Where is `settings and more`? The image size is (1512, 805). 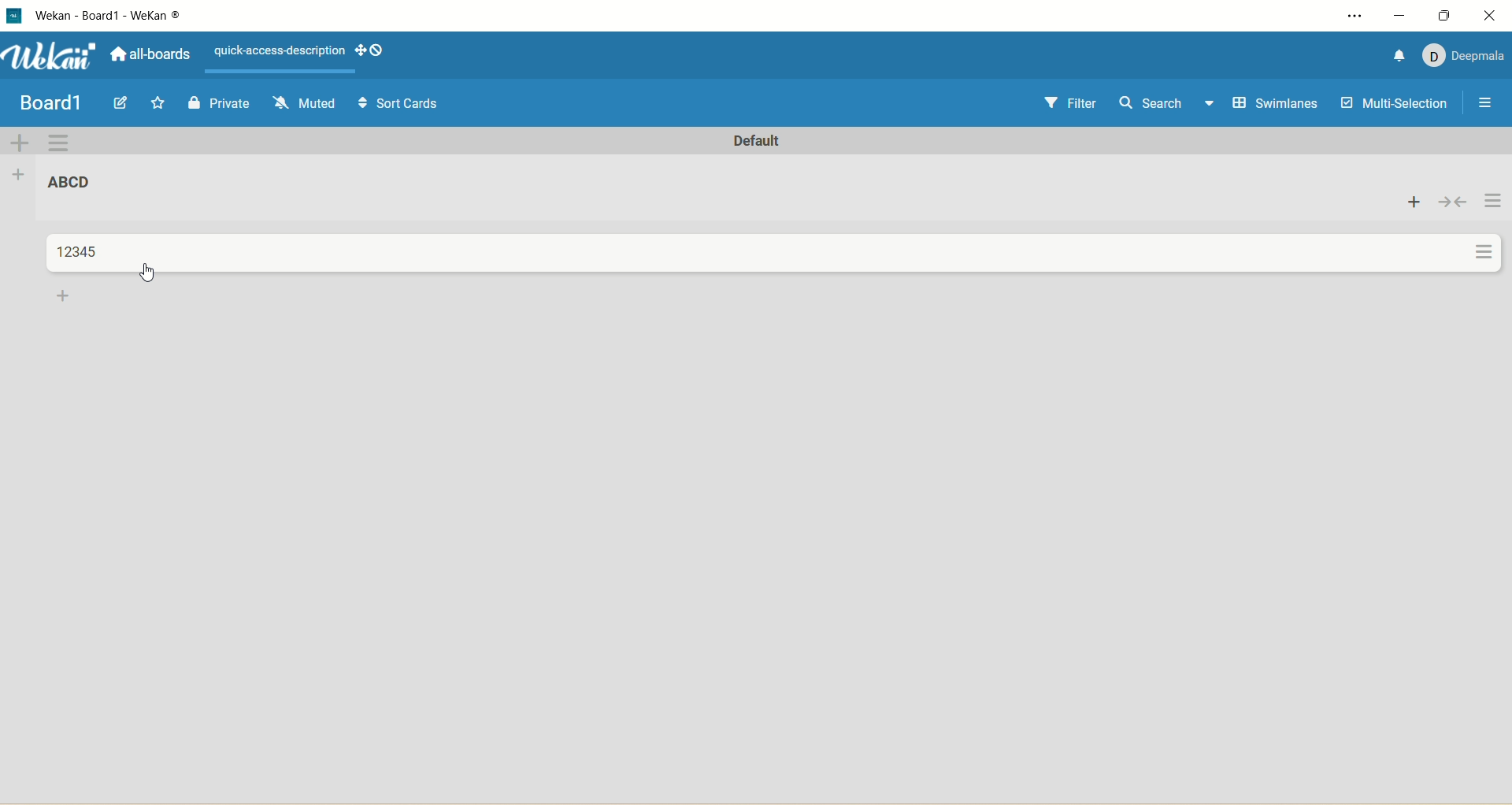
settings and more is located at coordinates (1359, 17).